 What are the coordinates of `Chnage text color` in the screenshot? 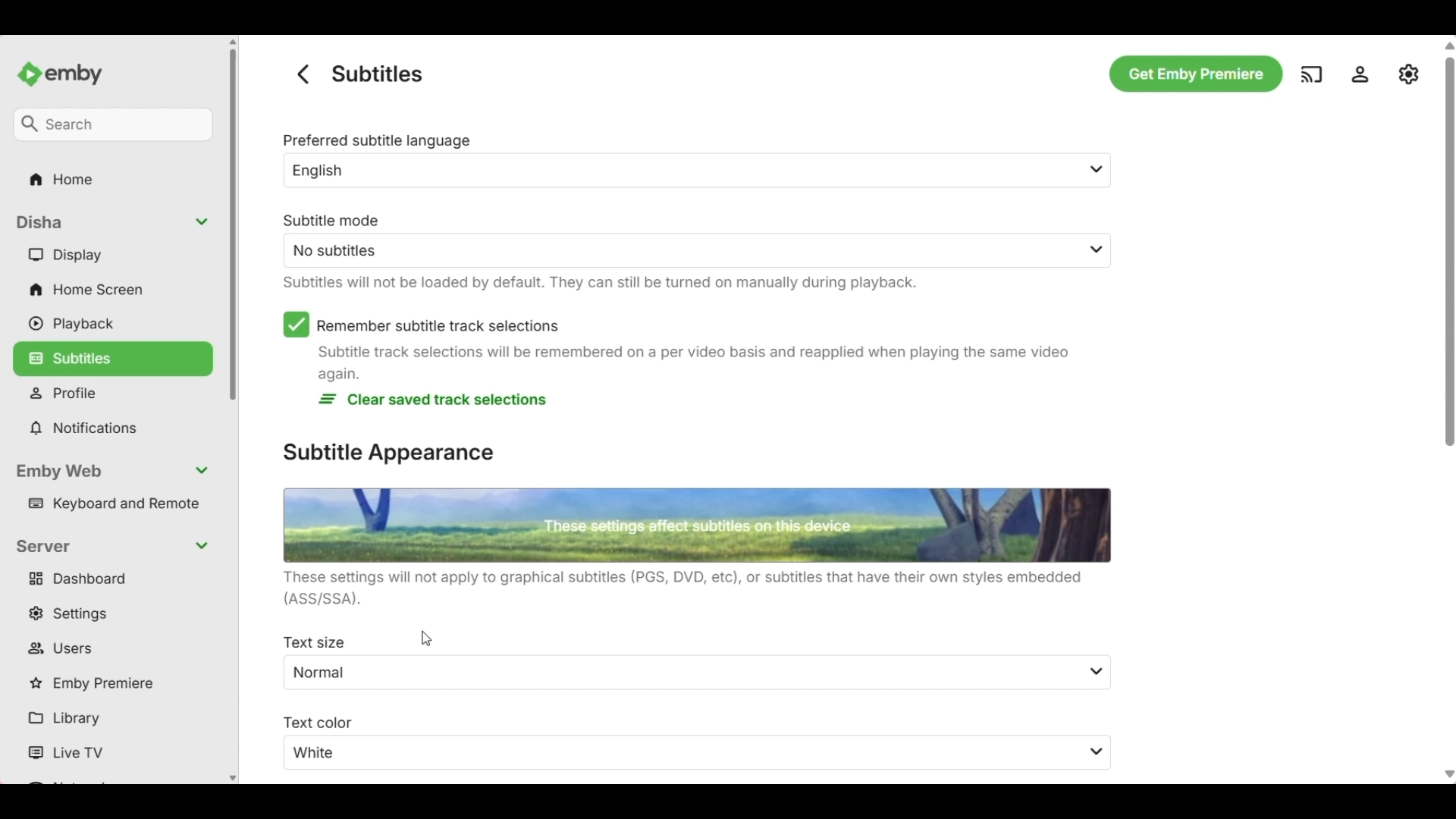 It's located at (680, 742).